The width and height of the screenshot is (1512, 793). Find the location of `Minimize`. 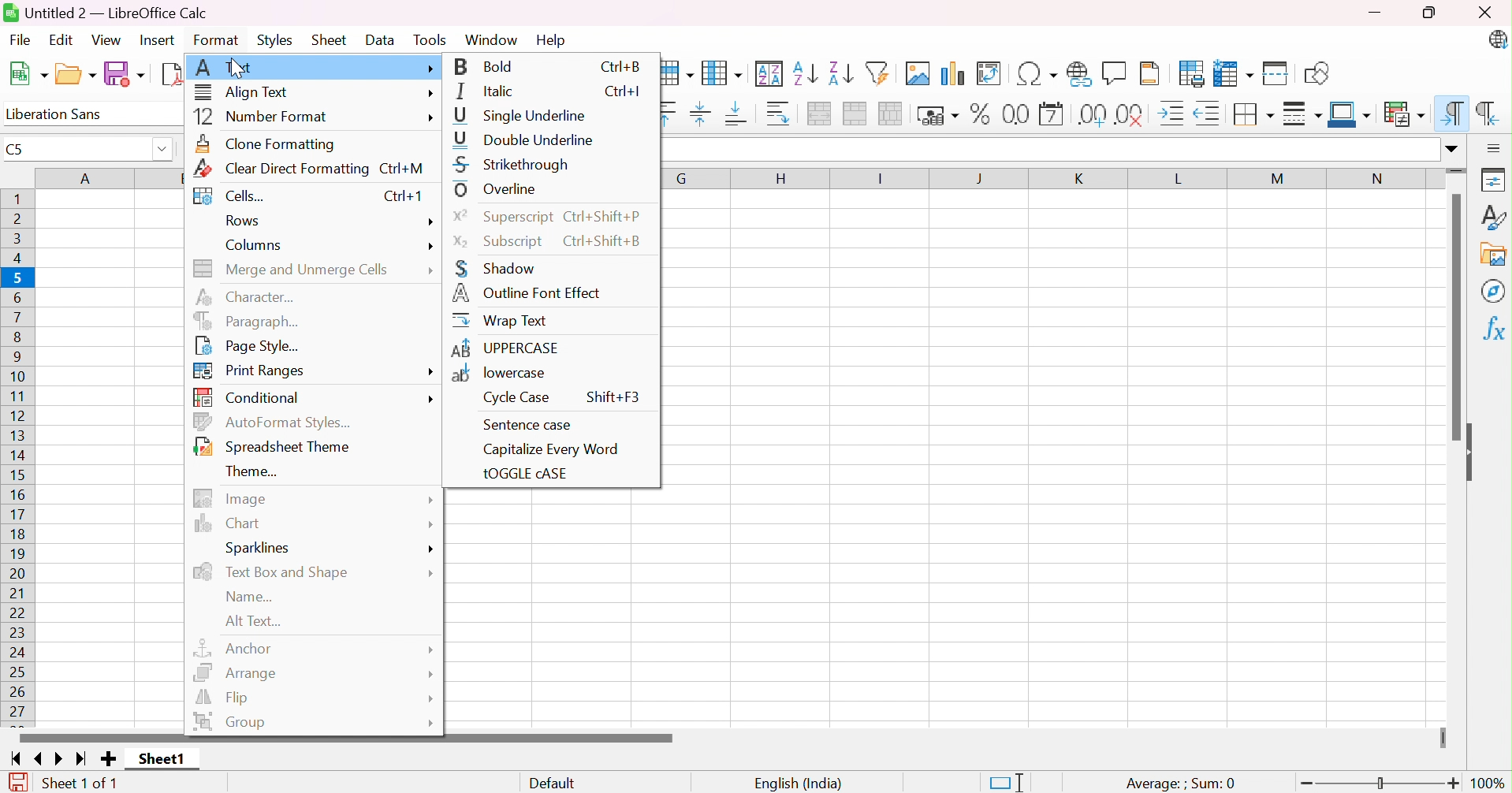

Minimize is located at coordinates (1376, 12).